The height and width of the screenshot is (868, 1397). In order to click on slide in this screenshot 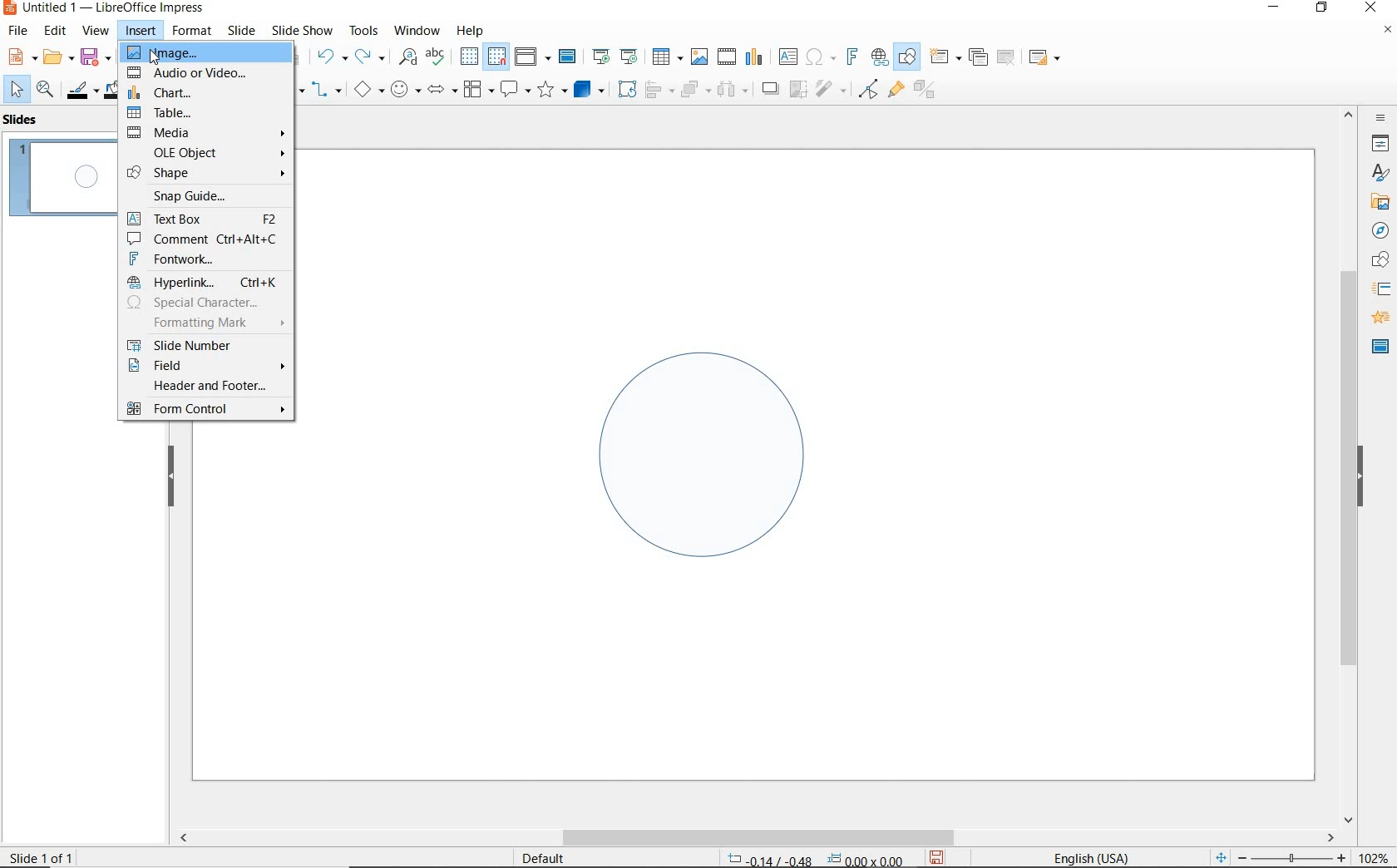, I will do `click(241, 31)`.